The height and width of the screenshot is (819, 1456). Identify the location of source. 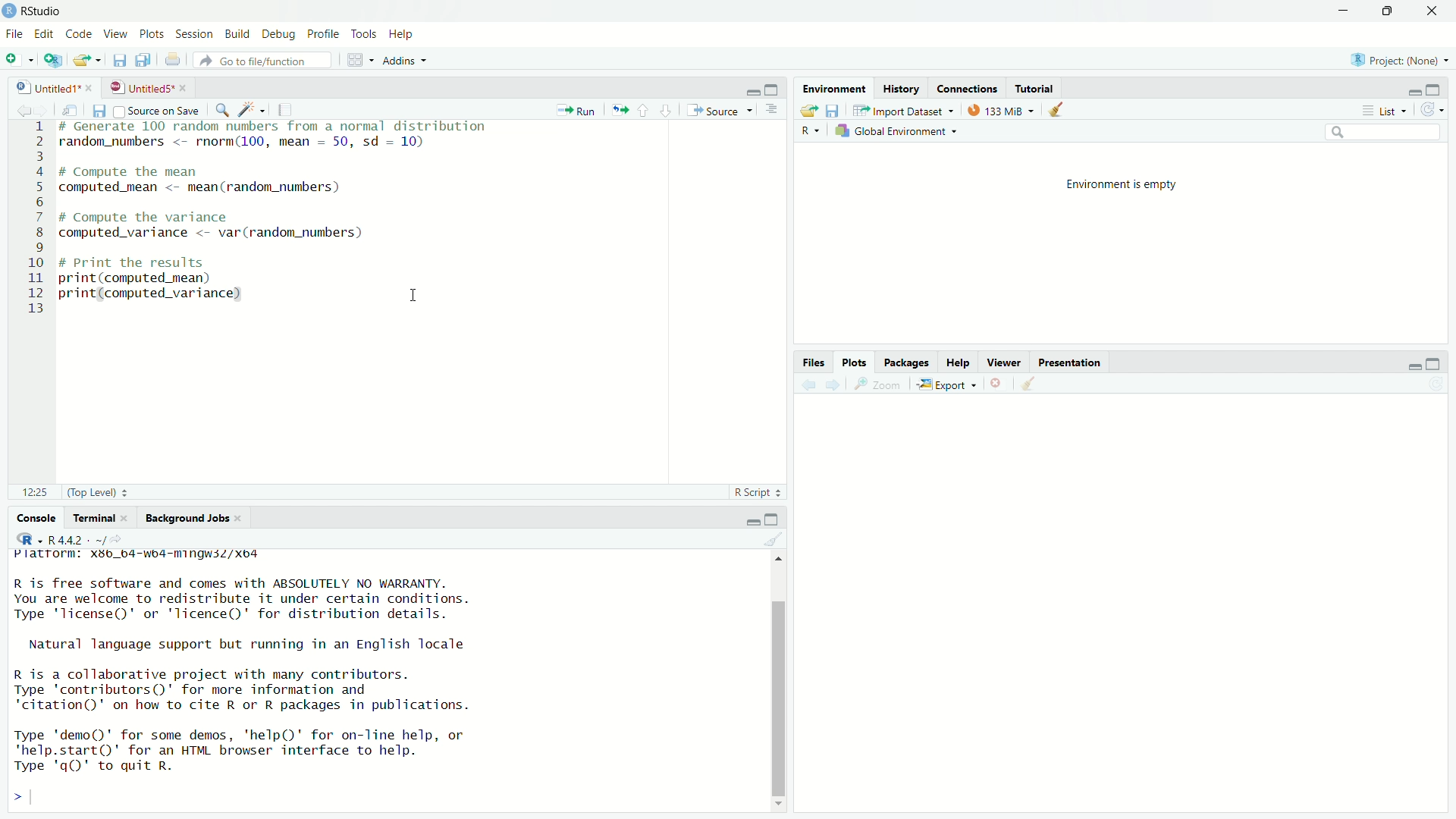
(722, 110).